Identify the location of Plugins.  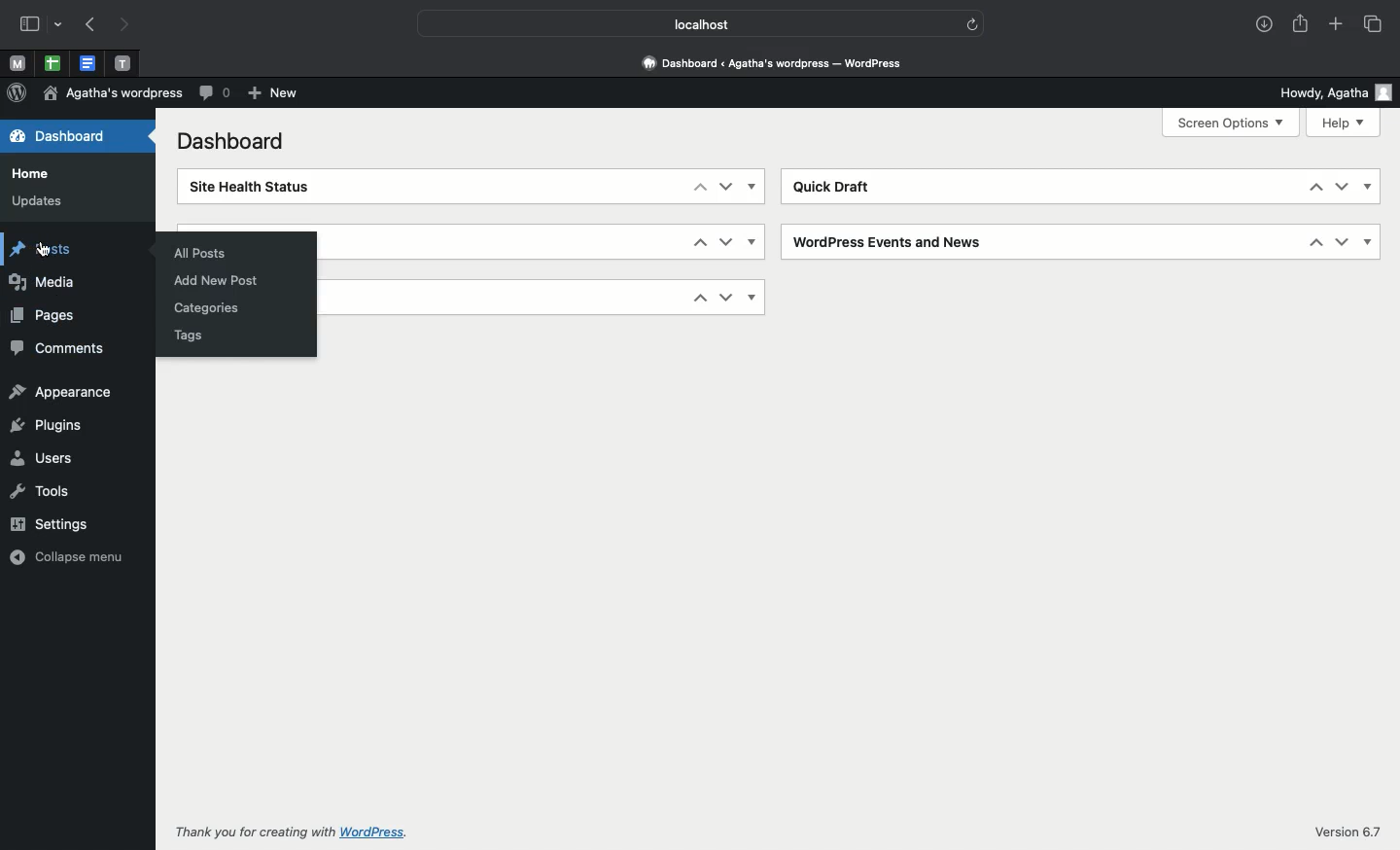
(45, 426).